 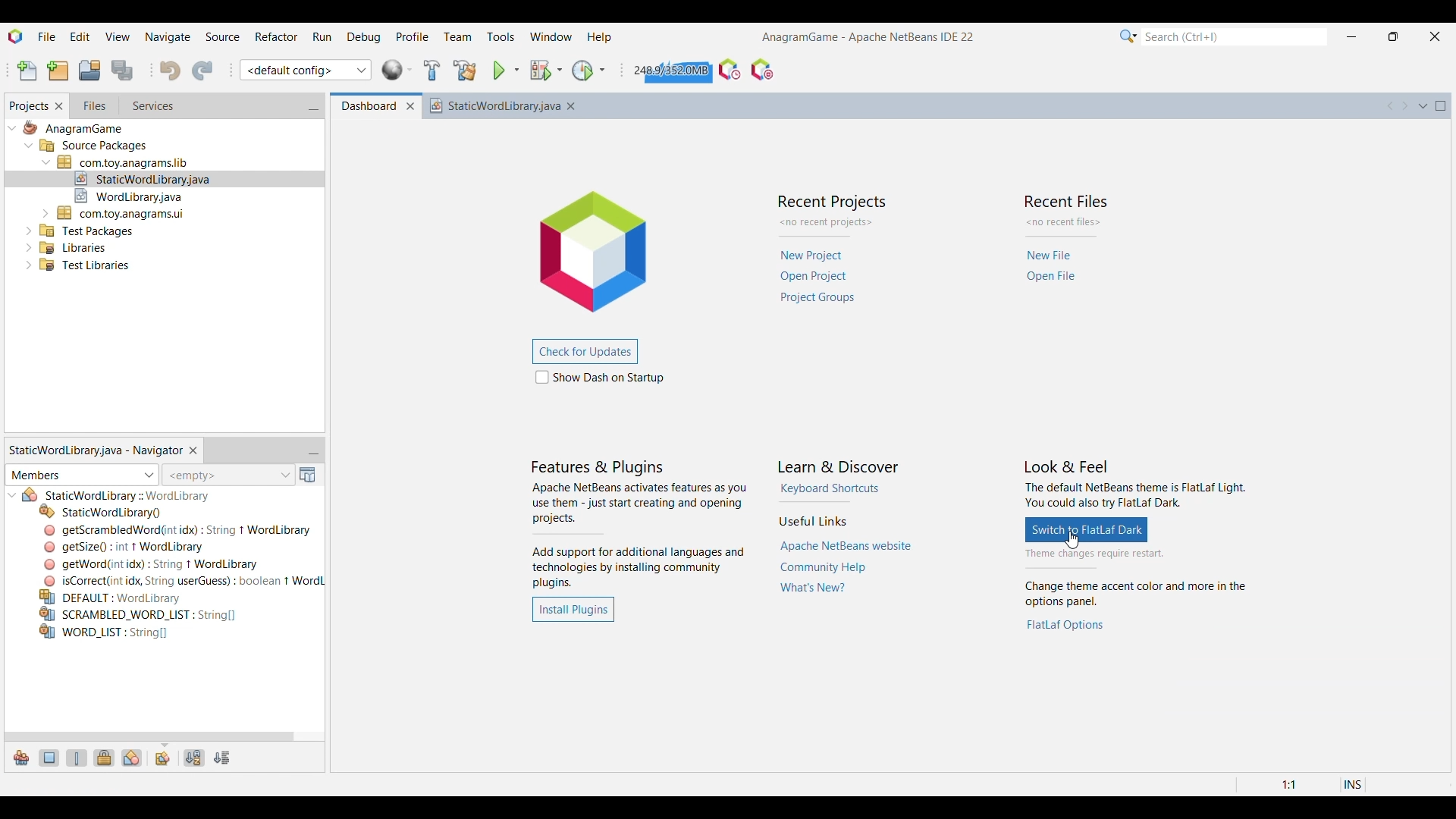 I want to click on Help menu, so click(x=600, y=39).